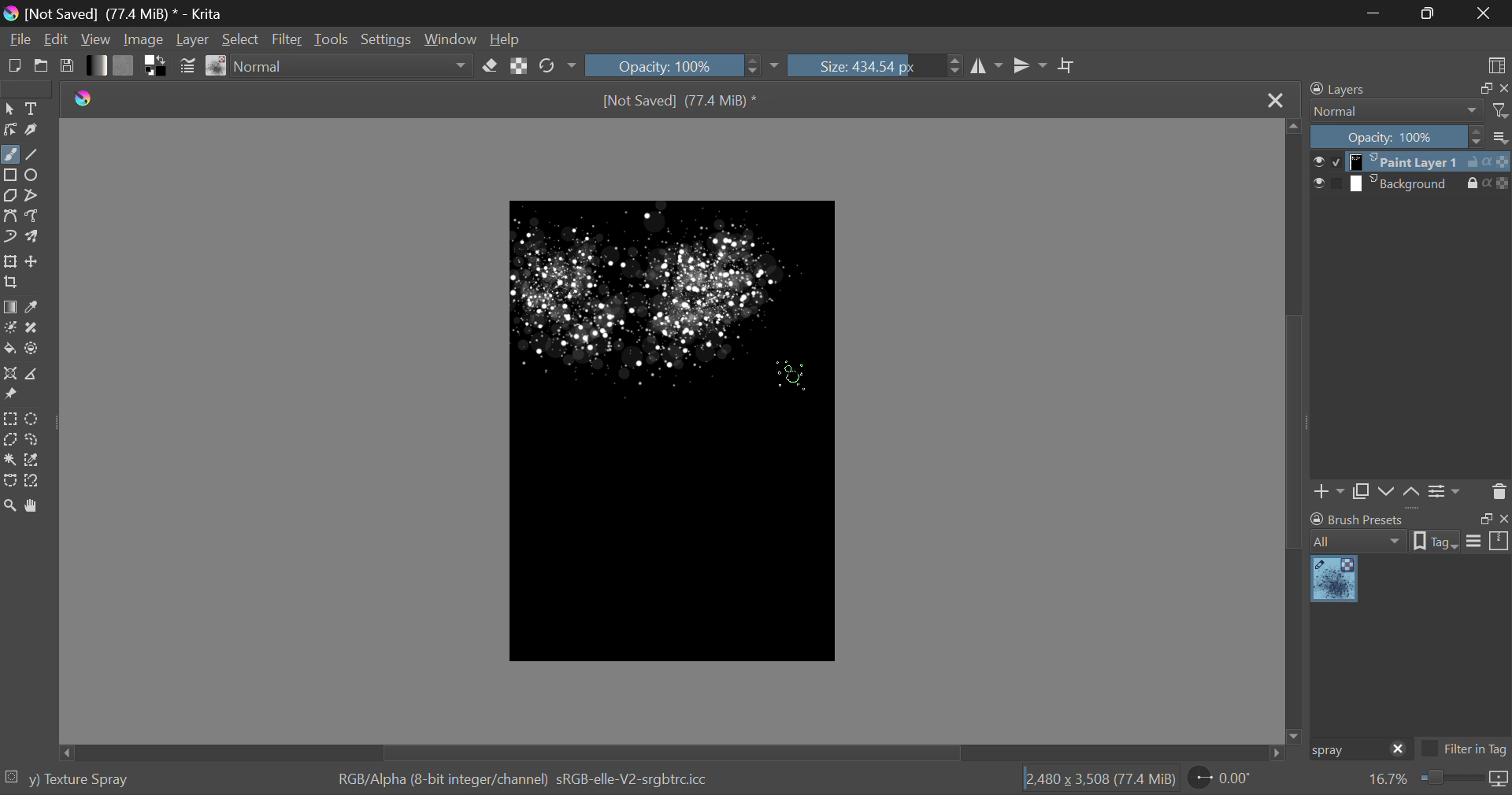  What do you see at coordinates (1399, 750) in the screenshot?
I see `close` at bounding box center [1399, 750].